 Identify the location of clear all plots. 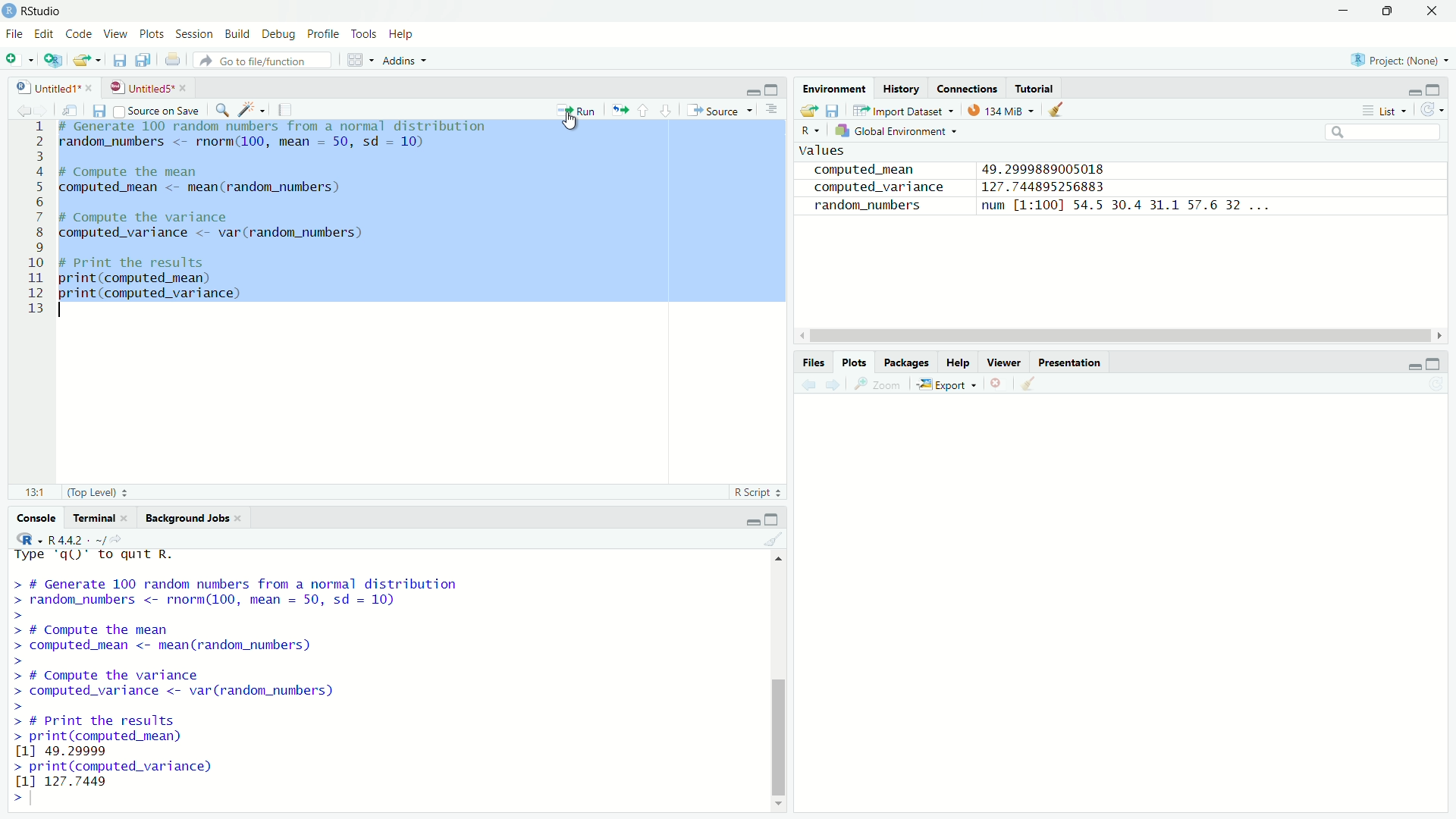
(1031, 384).